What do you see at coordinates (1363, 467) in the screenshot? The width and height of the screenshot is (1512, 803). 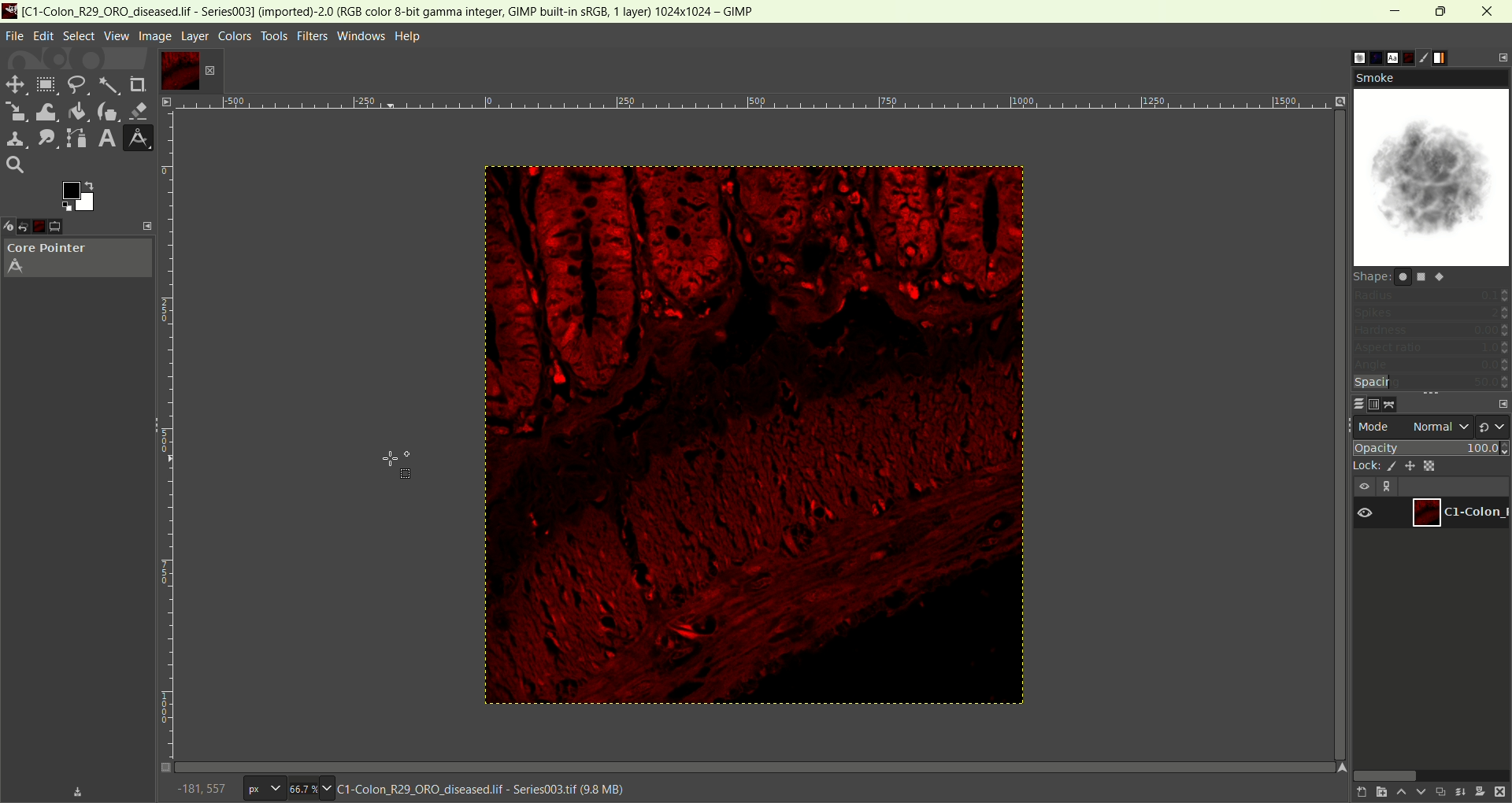 I see `lock` at bounding box center [1363, 467].